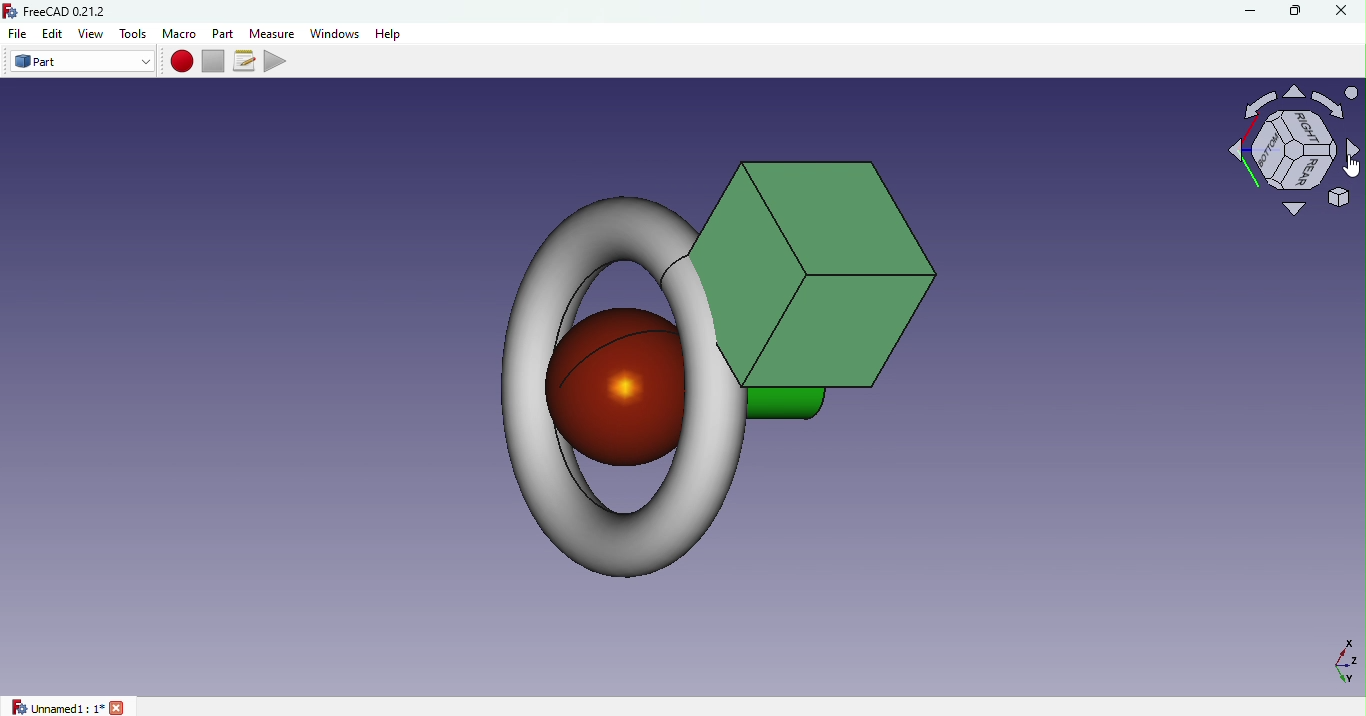 Image resolution: width=1366 pixels, height=716 pixels. I want to click on Macros, so click(243, 60).